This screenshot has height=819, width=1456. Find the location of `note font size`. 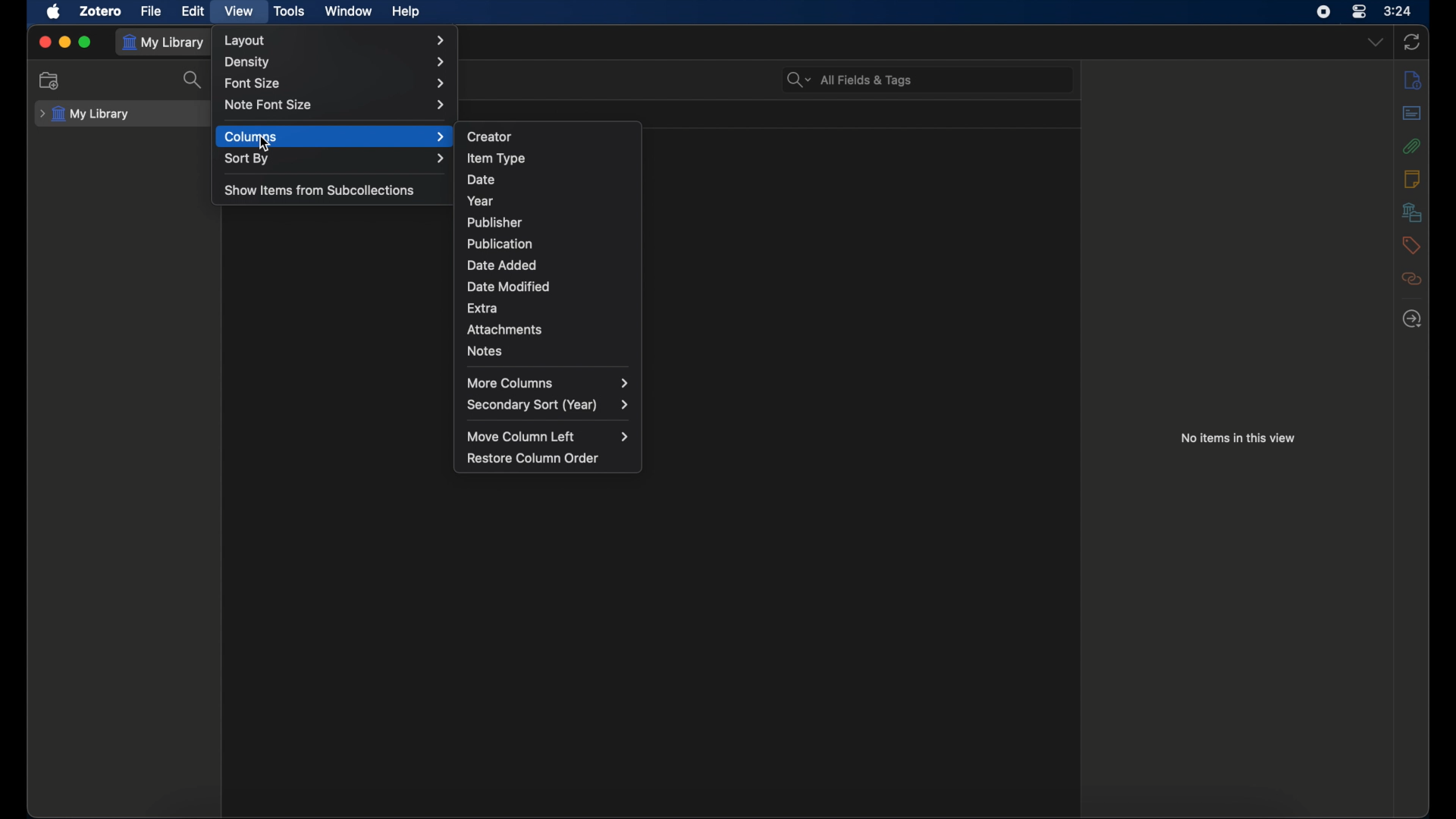

note font size is located at coordinates (334, 105).